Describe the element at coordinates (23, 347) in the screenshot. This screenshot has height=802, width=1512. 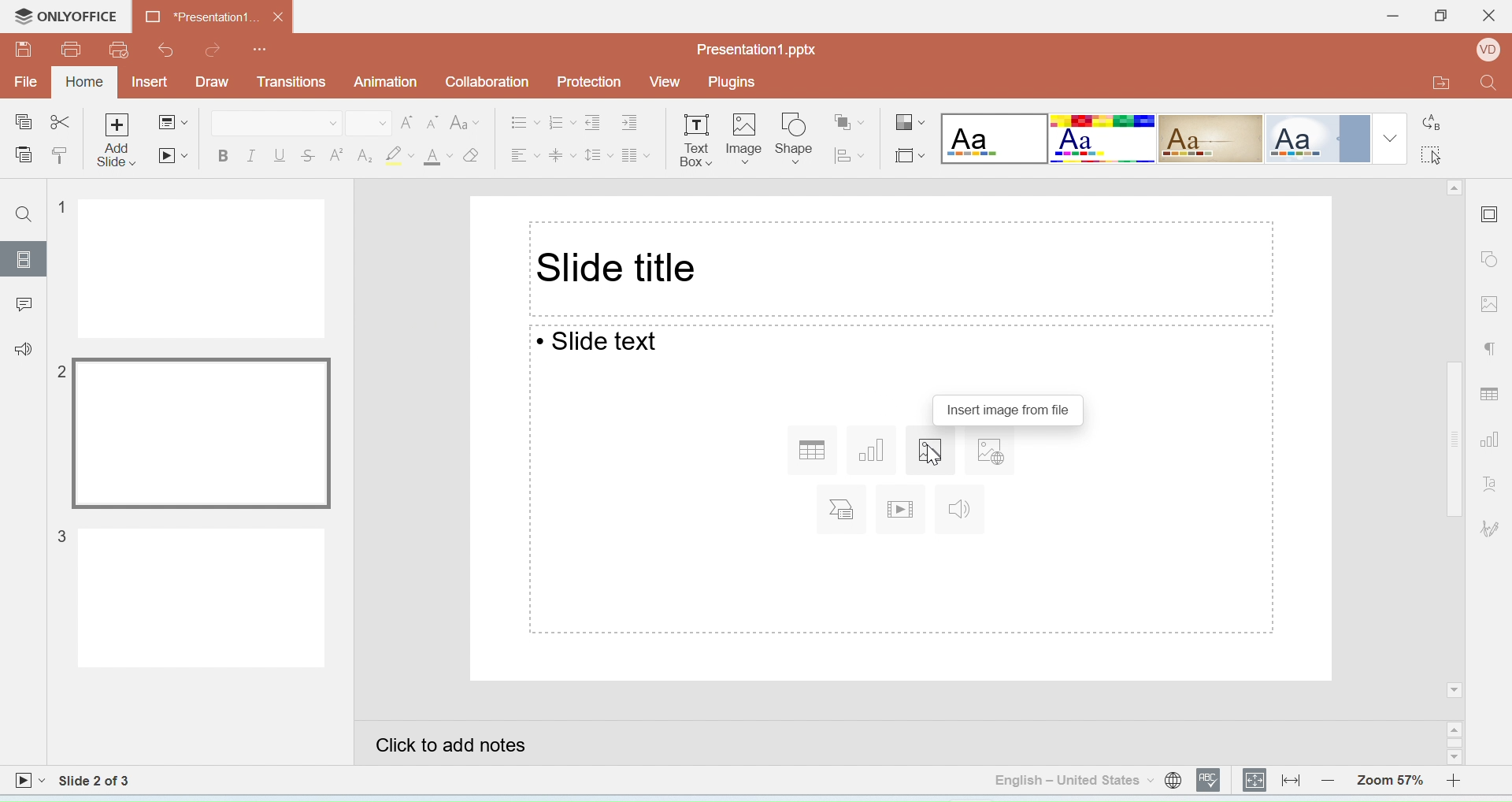
I see `Feedback & support` at that location.